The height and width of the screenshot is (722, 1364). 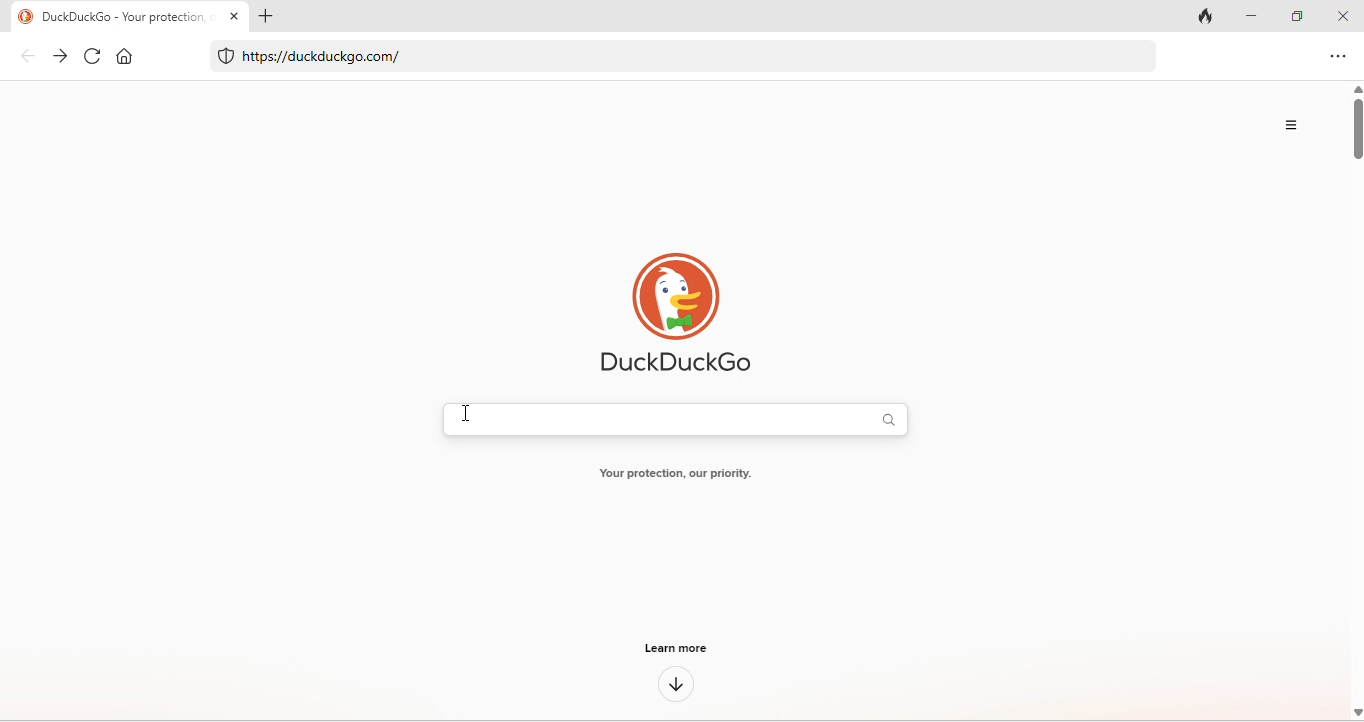 What do you see at coordinates (265, 16) in the screenshot?
I see `add` at bounding box center [265, 16].